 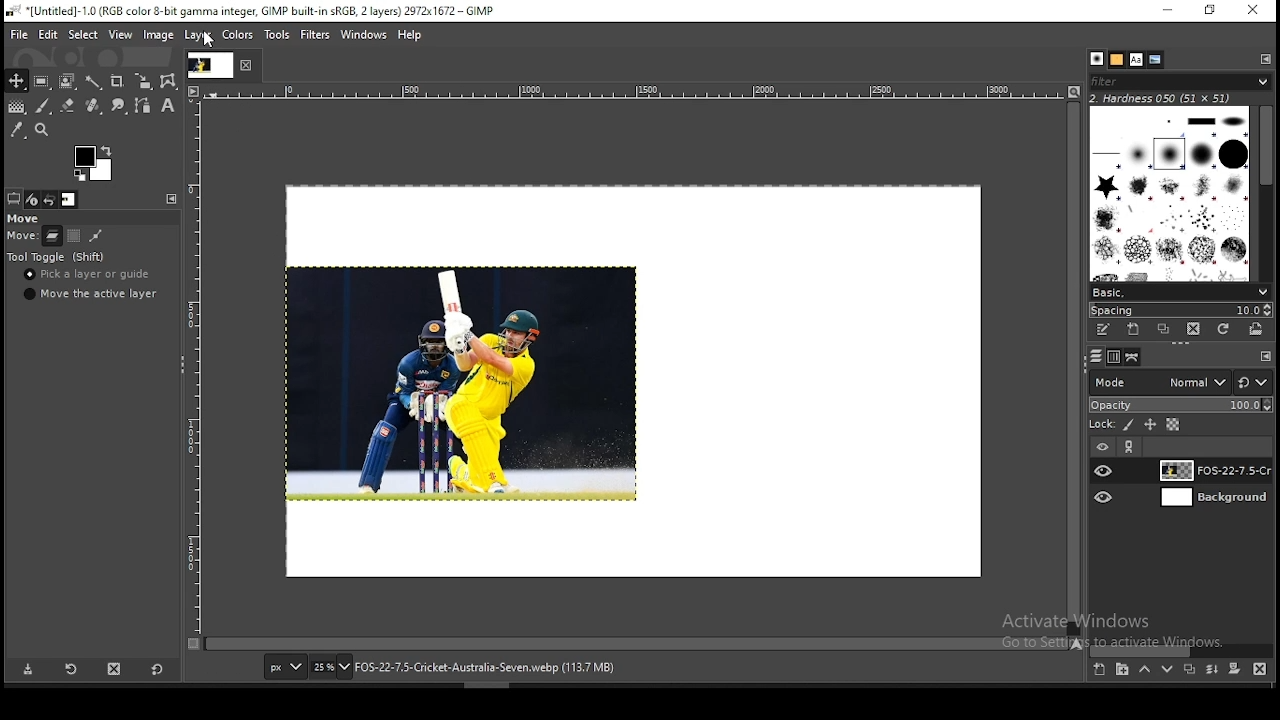 I want to click on refresh brushes, so click(x=1225, y=329).